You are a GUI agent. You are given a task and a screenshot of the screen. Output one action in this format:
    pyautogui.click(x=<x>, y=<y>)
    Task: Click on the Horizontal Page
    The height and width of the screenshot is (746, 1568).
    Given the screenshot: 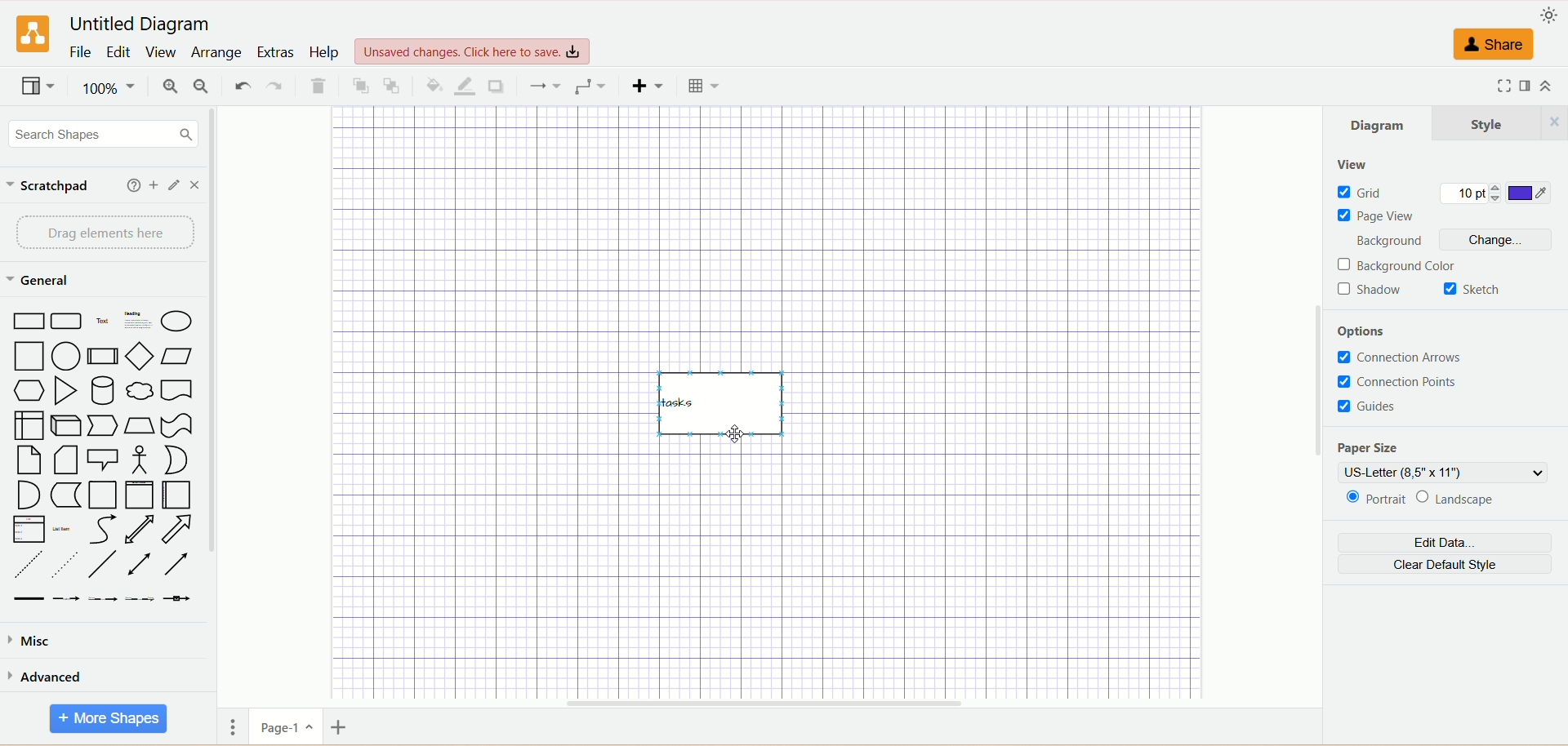 What is the action you would take?
    pyautogui.click(x=176, y=495)
    